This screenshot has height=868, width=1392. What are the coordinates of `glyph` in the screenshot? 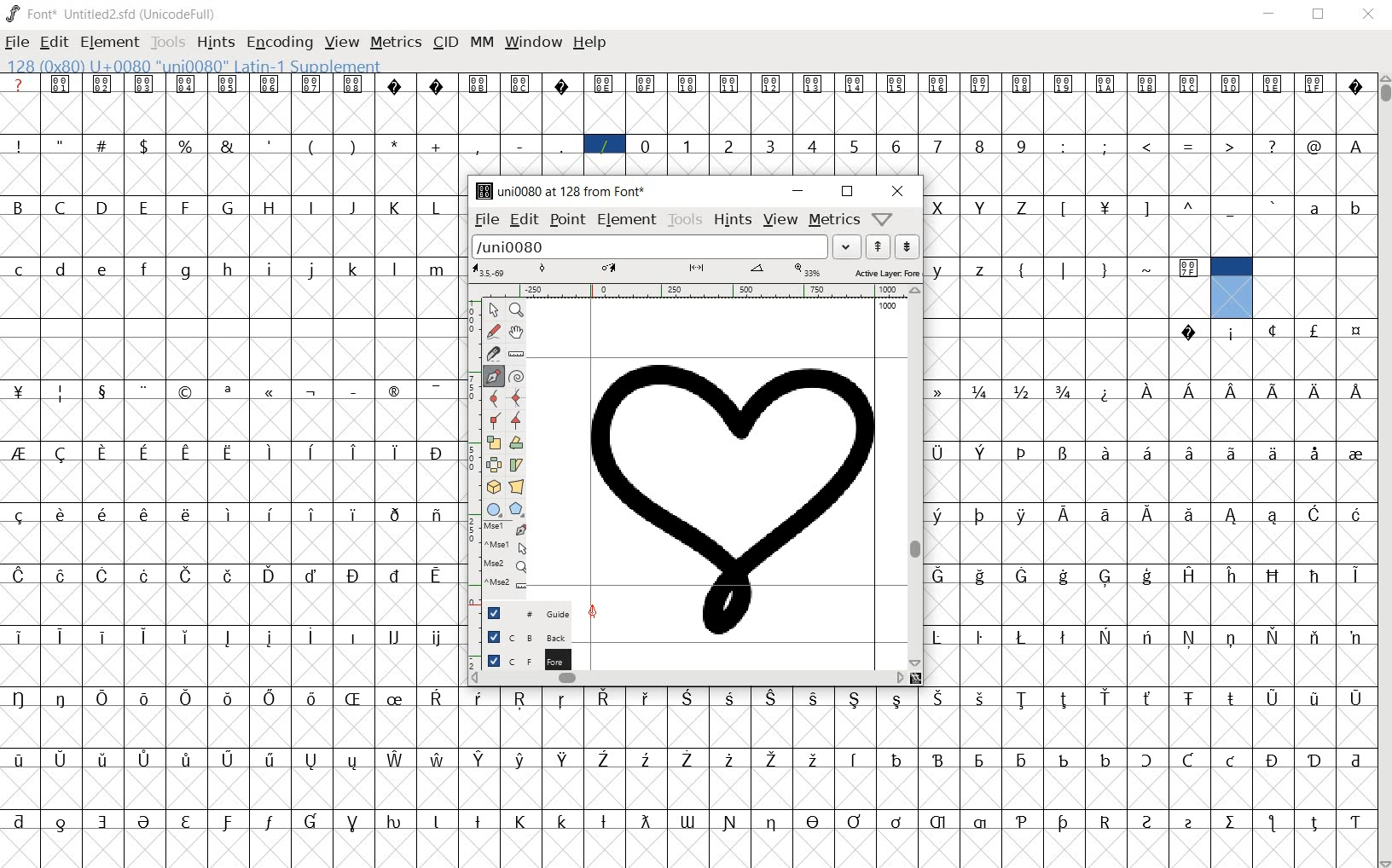 It's located at (772, 761).